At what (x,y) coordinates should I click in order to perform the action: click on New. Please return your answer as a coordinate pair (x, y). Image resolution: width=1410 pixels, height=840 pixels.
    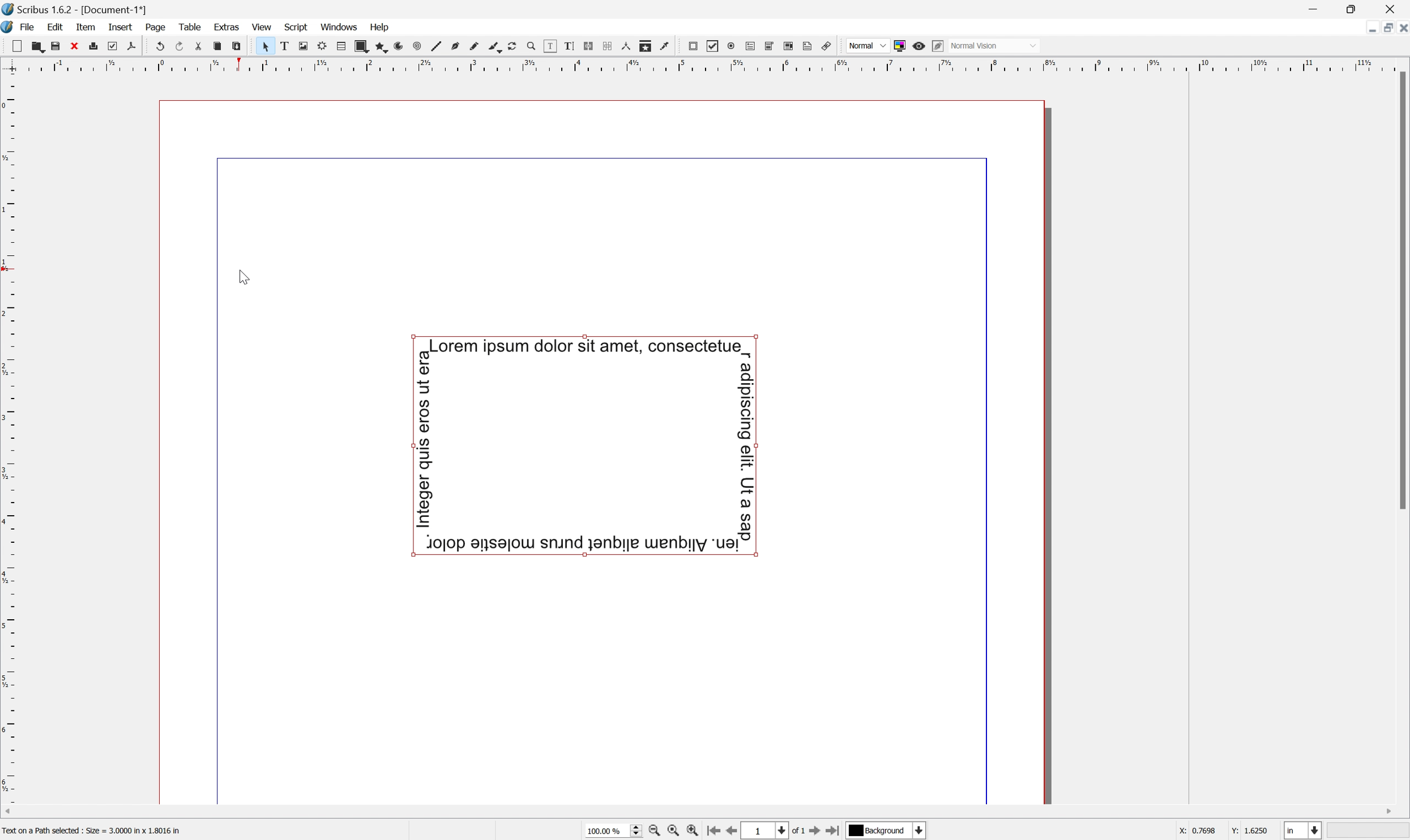
    Looking at the image, I should click on (11, 46).